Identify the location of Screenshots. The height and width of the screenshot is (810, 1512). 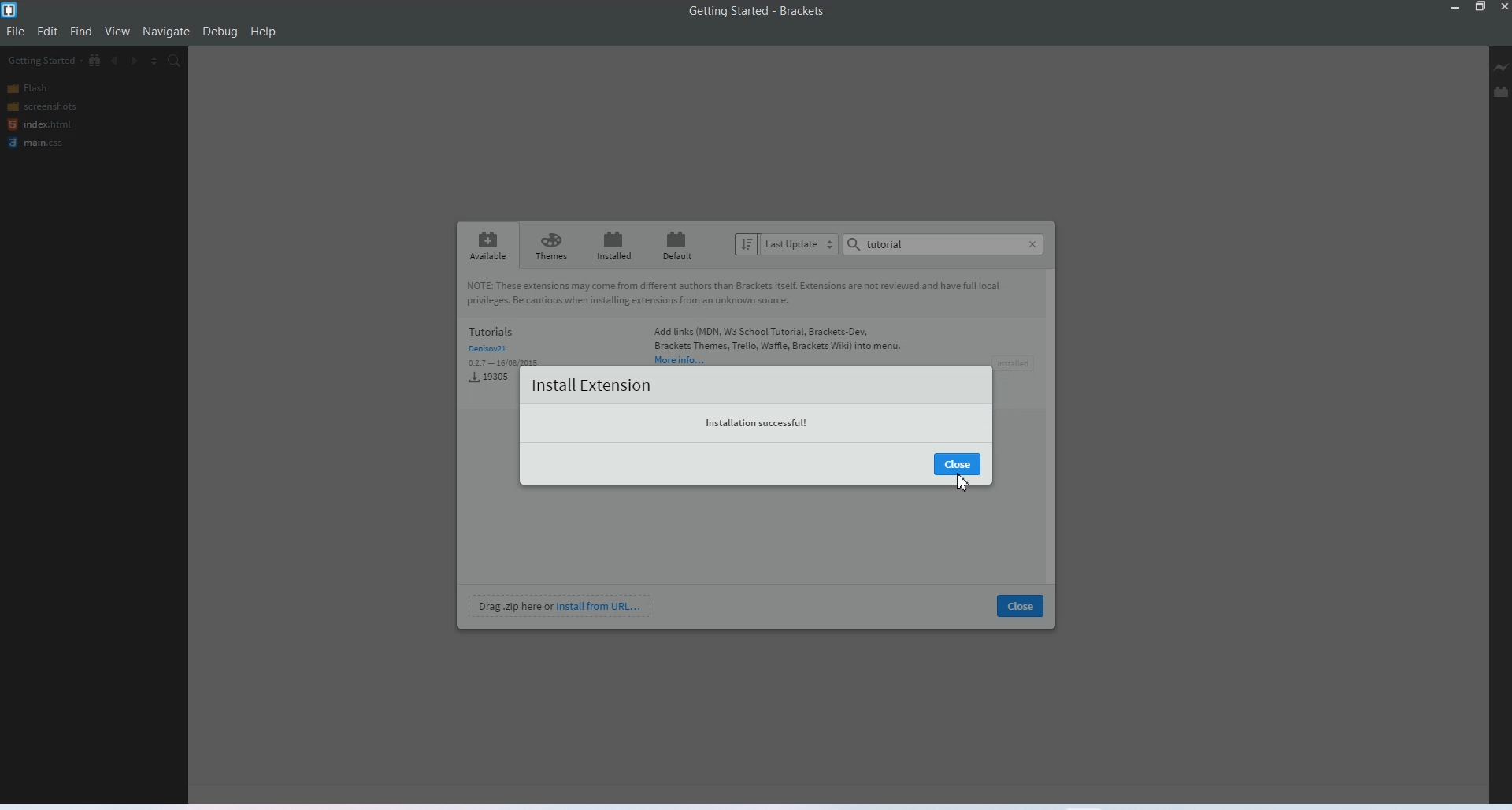
(43, 106).